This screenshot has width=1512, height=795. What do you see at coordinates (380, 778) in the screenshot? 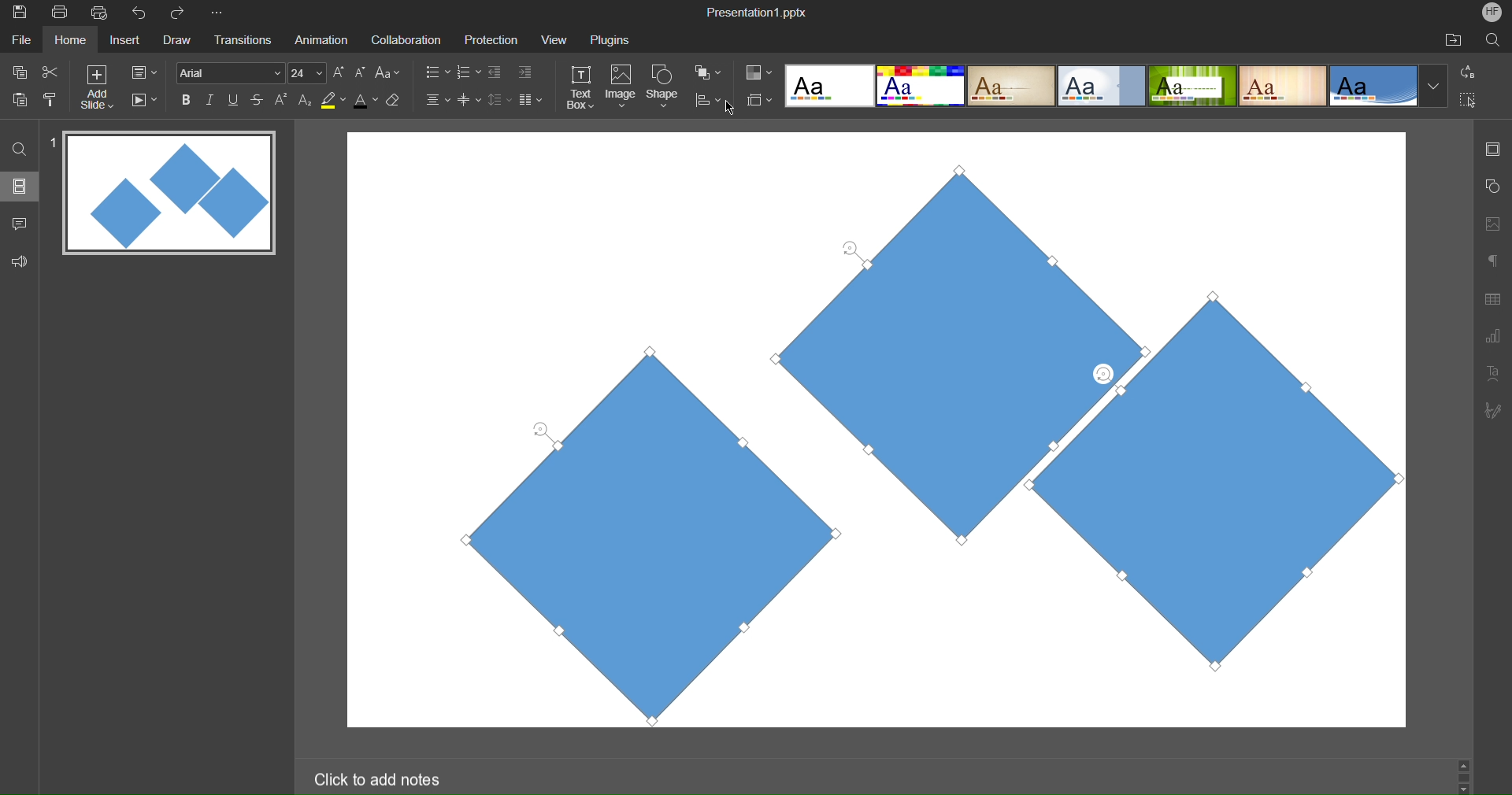
I see `click to add notes` at bounding box center [380, 778].